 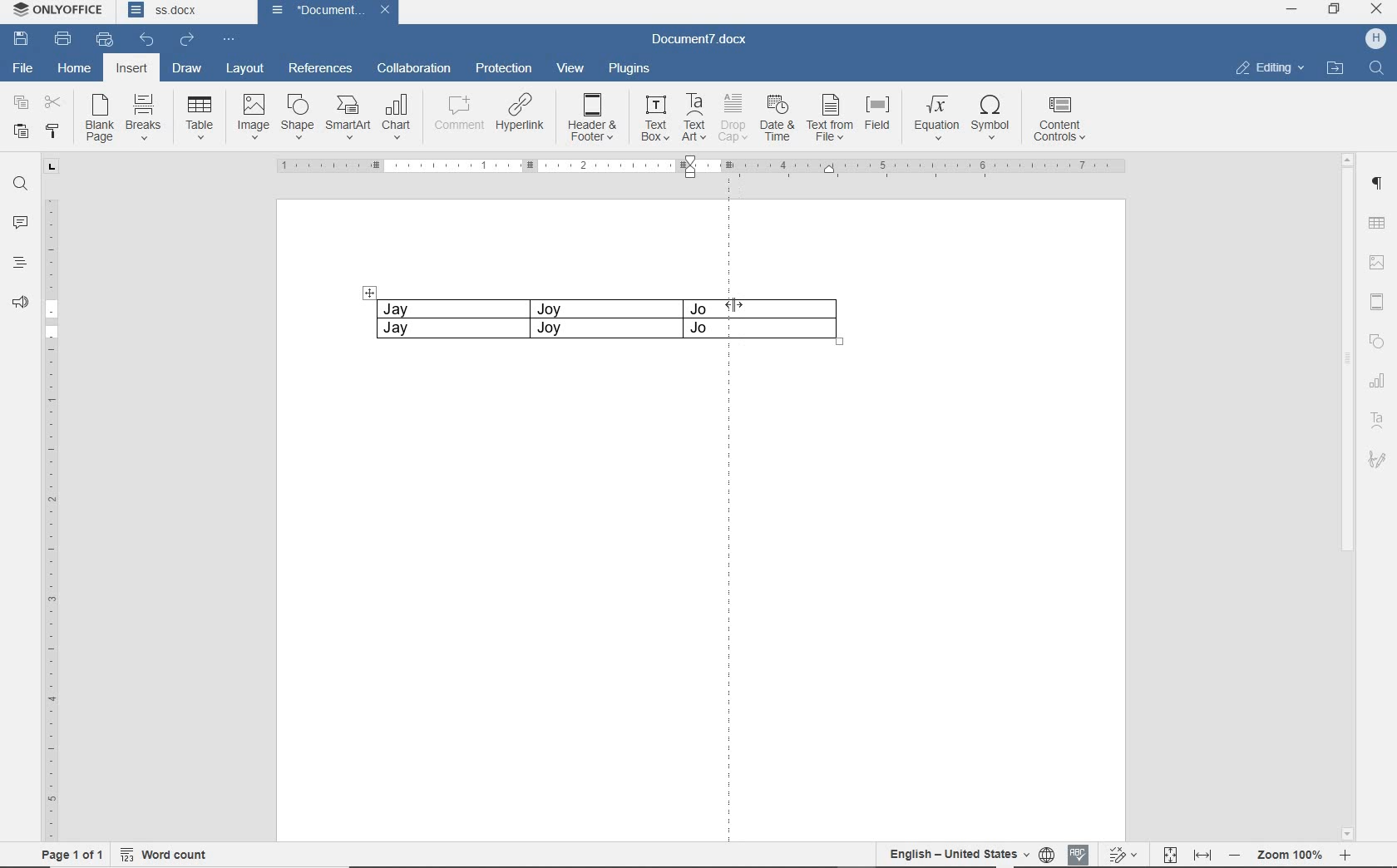 What do you see at coordinates (252, 116) in the screenshot?
I see `IMAGE` at bounding box center [252, 116].